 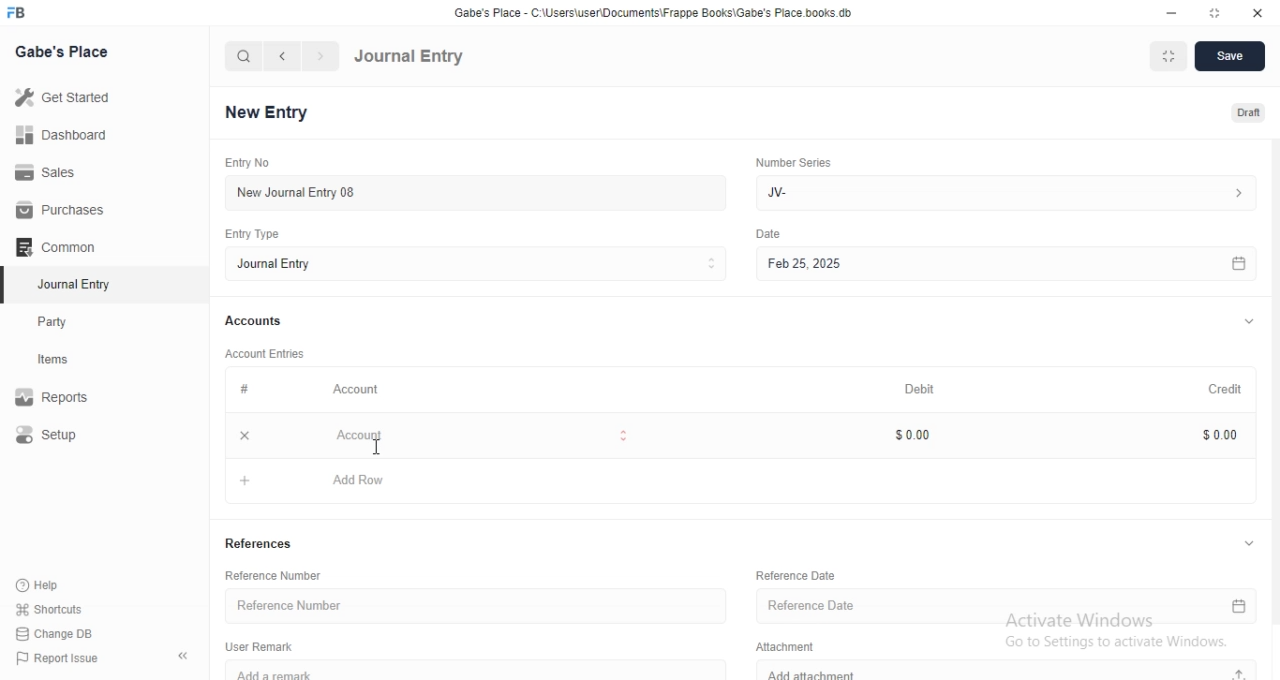 What do you see at coordinates (71, 284) in the screenshot?
I see `Journal Entry` at bounding box center [71, 284].